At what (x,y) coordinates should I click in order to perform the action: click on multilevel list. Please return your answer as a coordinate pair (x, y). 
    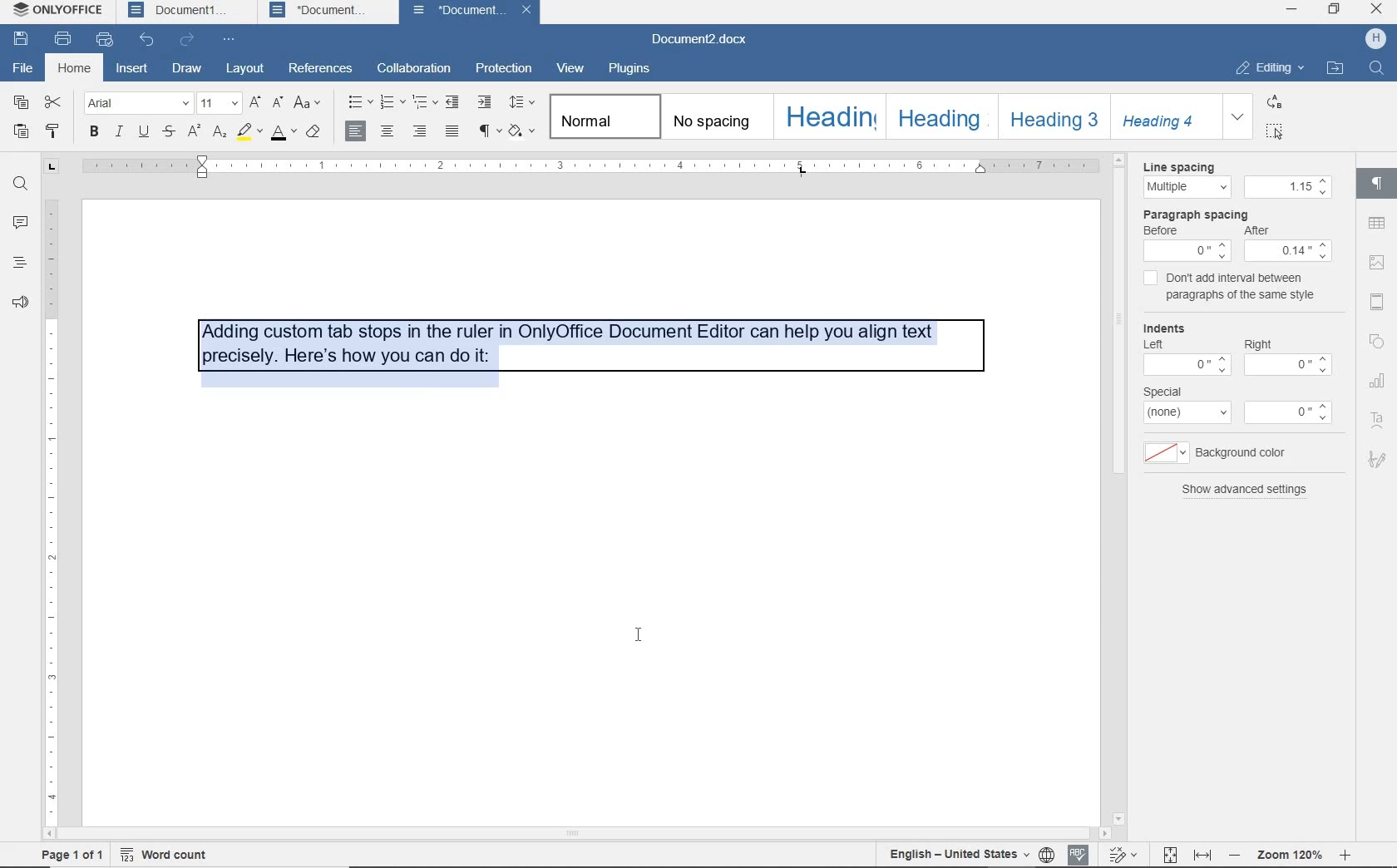
    Looking at the image, I should click on (422, 100).